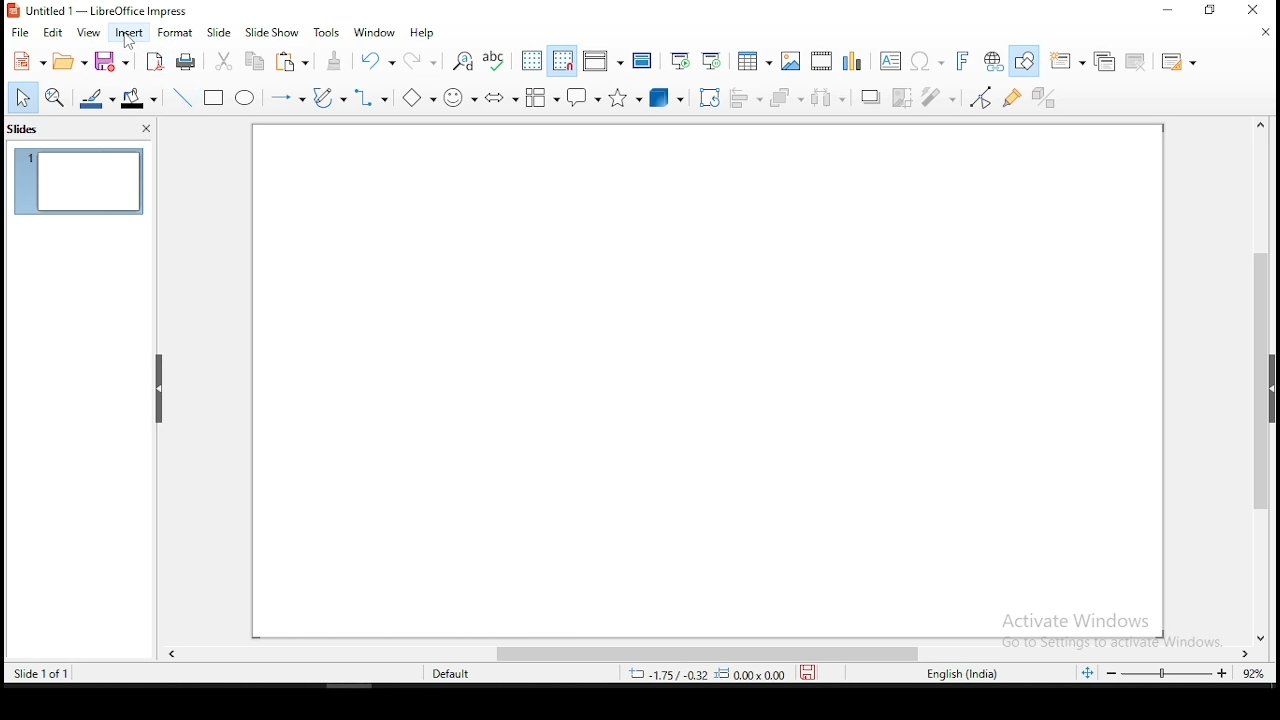 The width and height of the screenshot is (1280, 720). Describe the element at coordinates (1254, 674) in the screenshot. I see `92%` at that location.